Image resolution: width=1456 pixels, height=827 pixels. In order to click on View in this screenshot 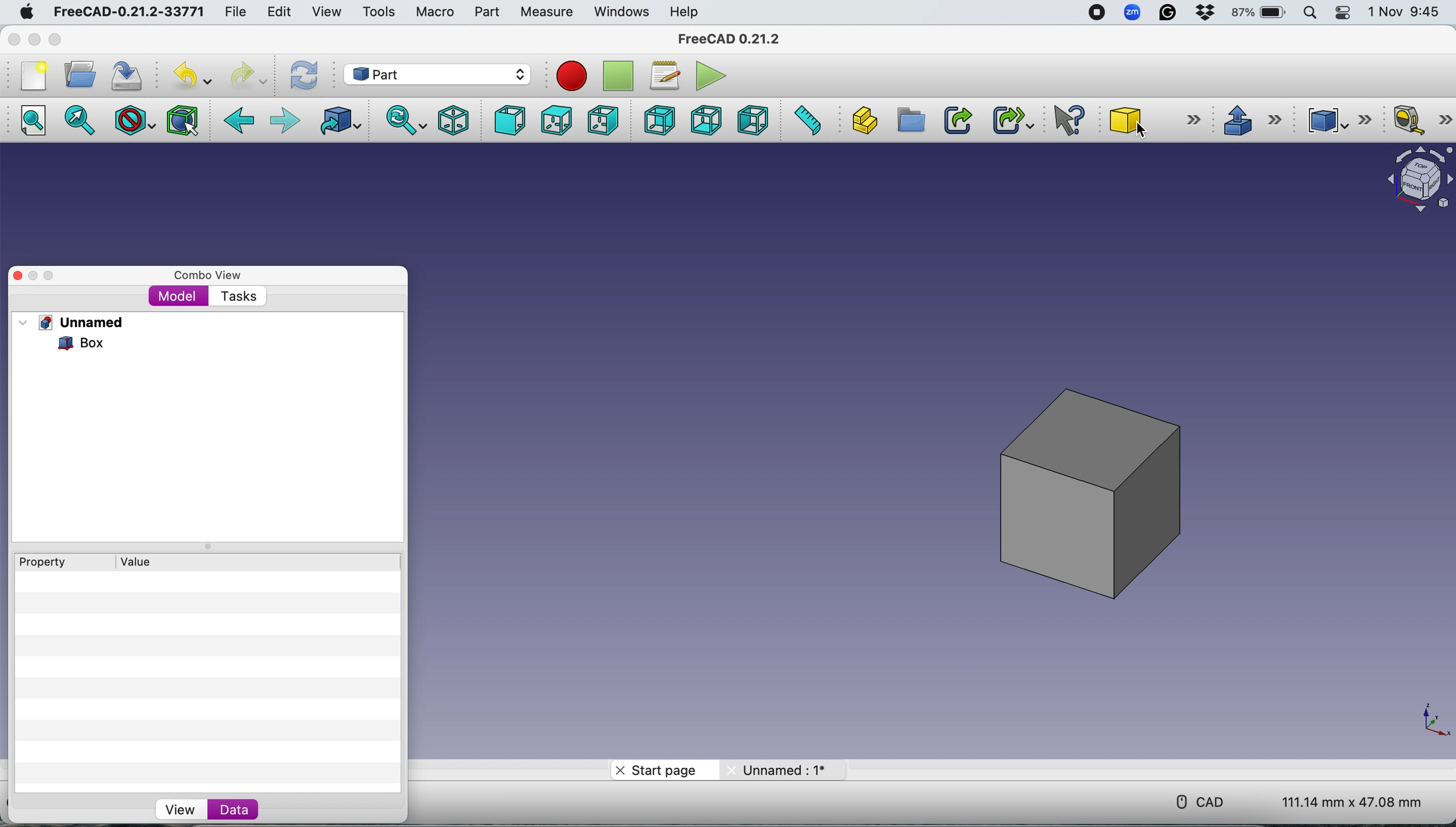, I will do `click(177, 809)`.